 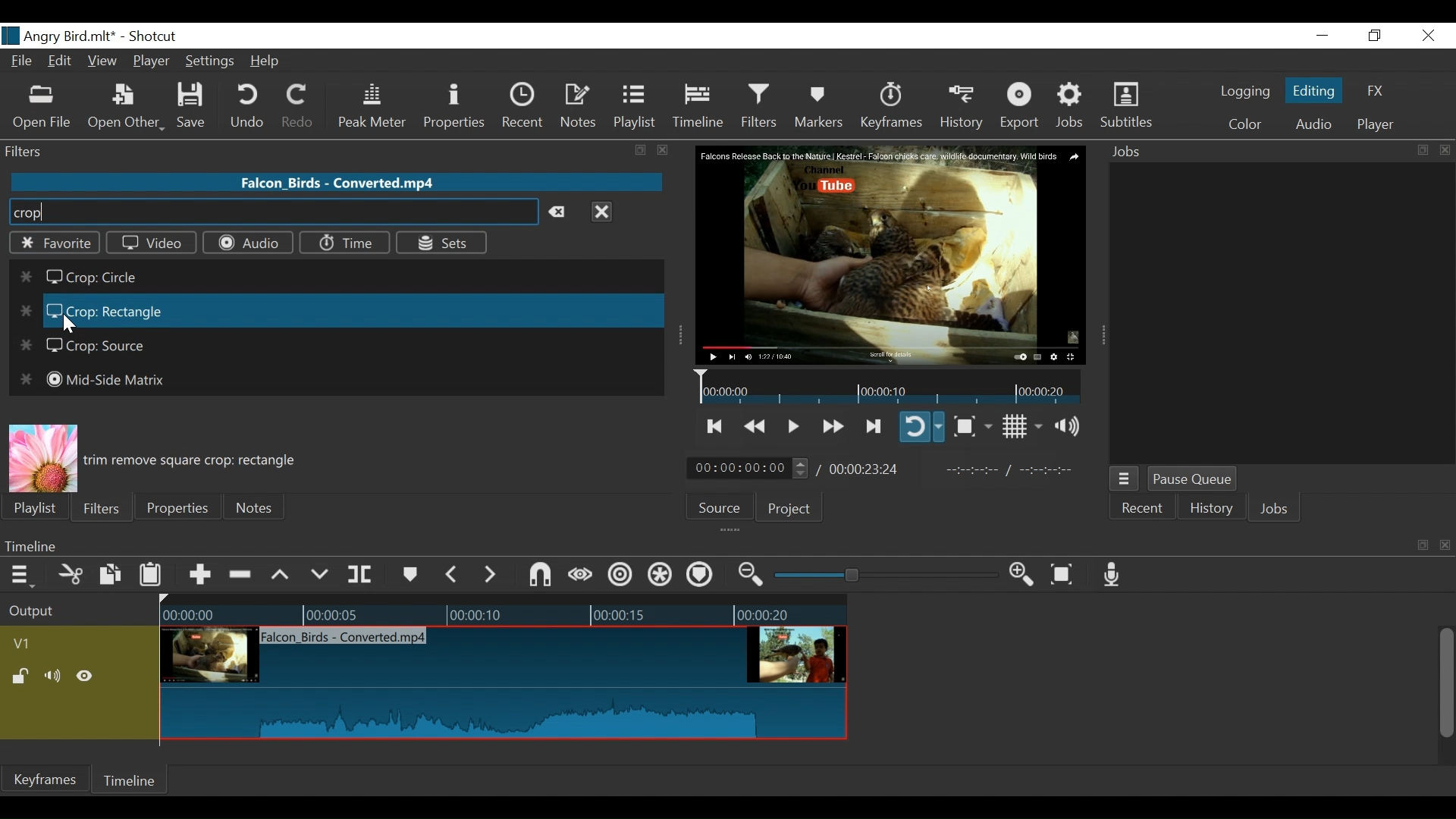 What do you see at coordinates (344, 243) in the screenshot?
I see `Time` at bounding box center [344, 243].